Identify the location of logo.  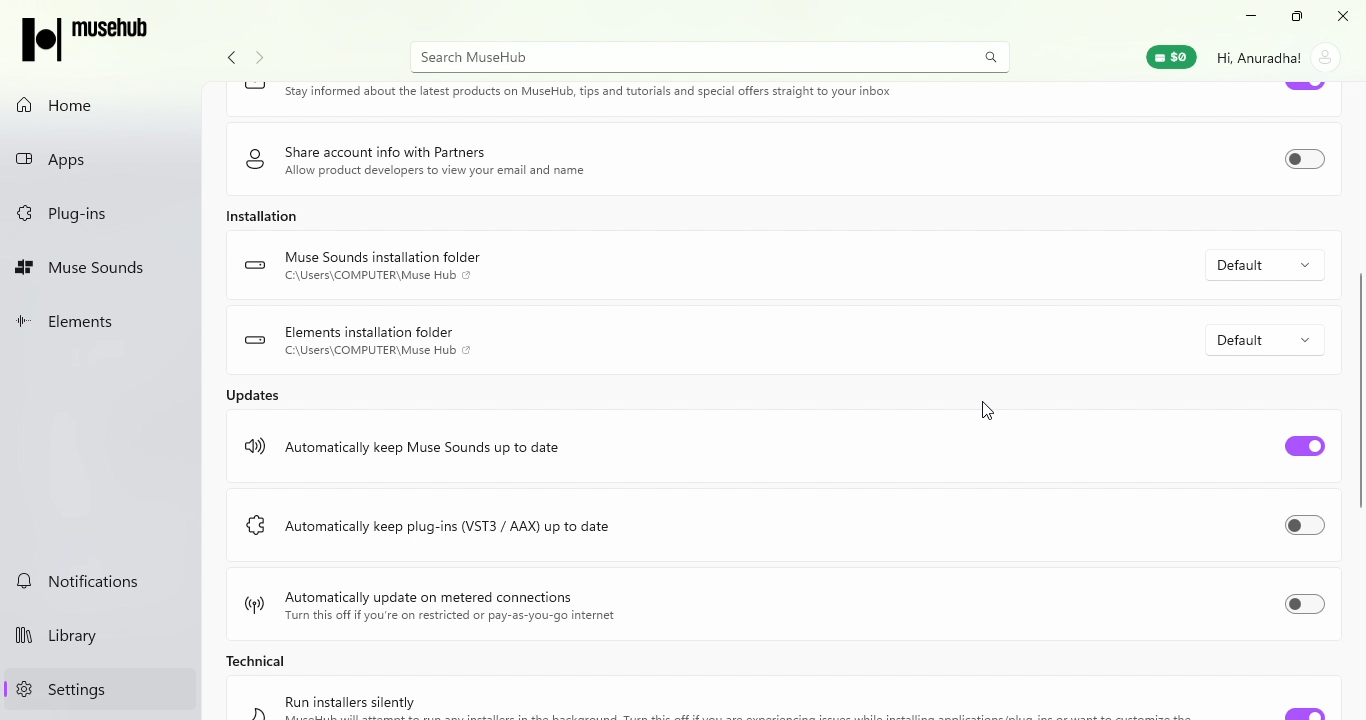
(254, 443).